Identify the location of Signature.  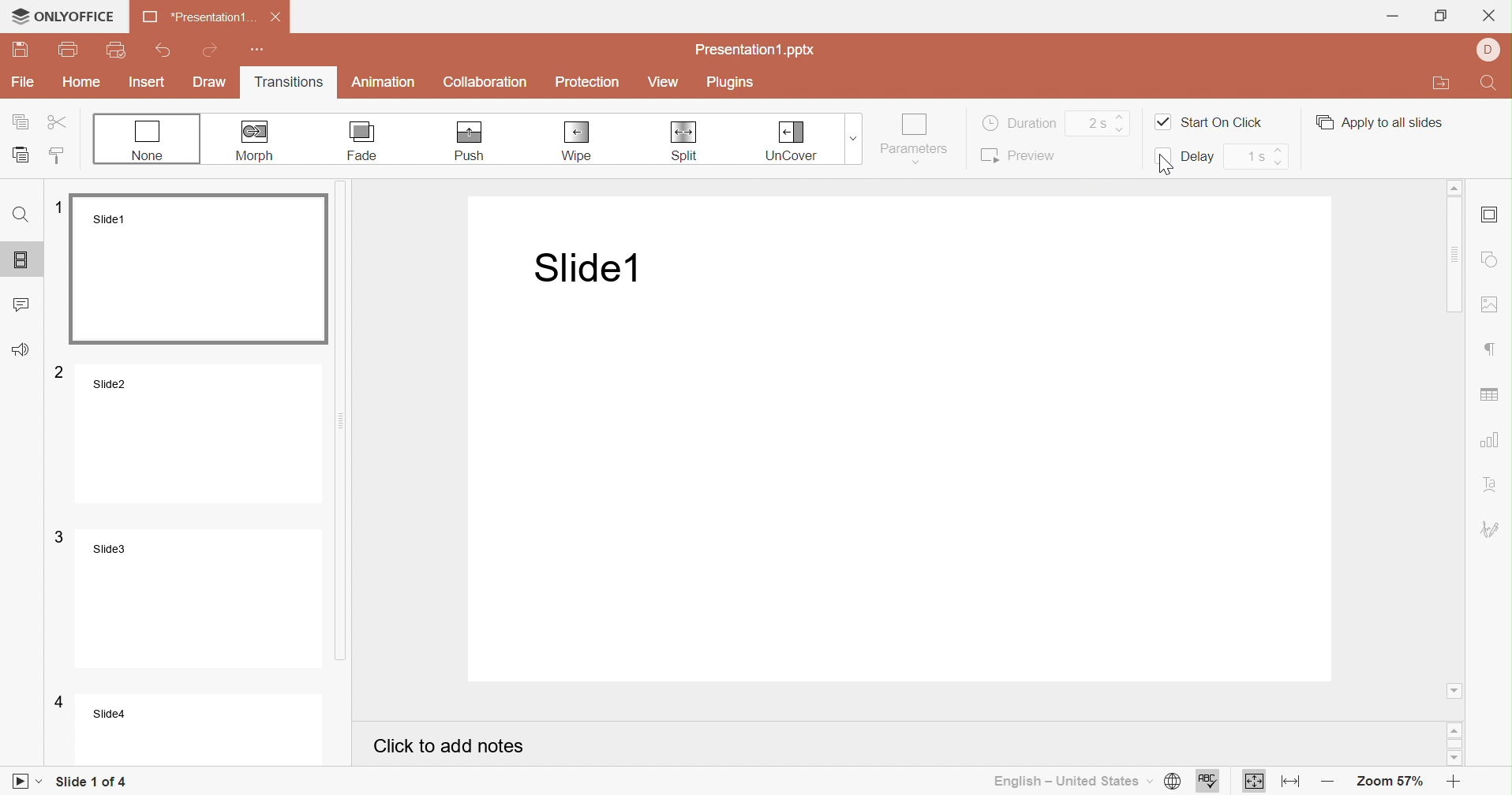
(1492, 529).